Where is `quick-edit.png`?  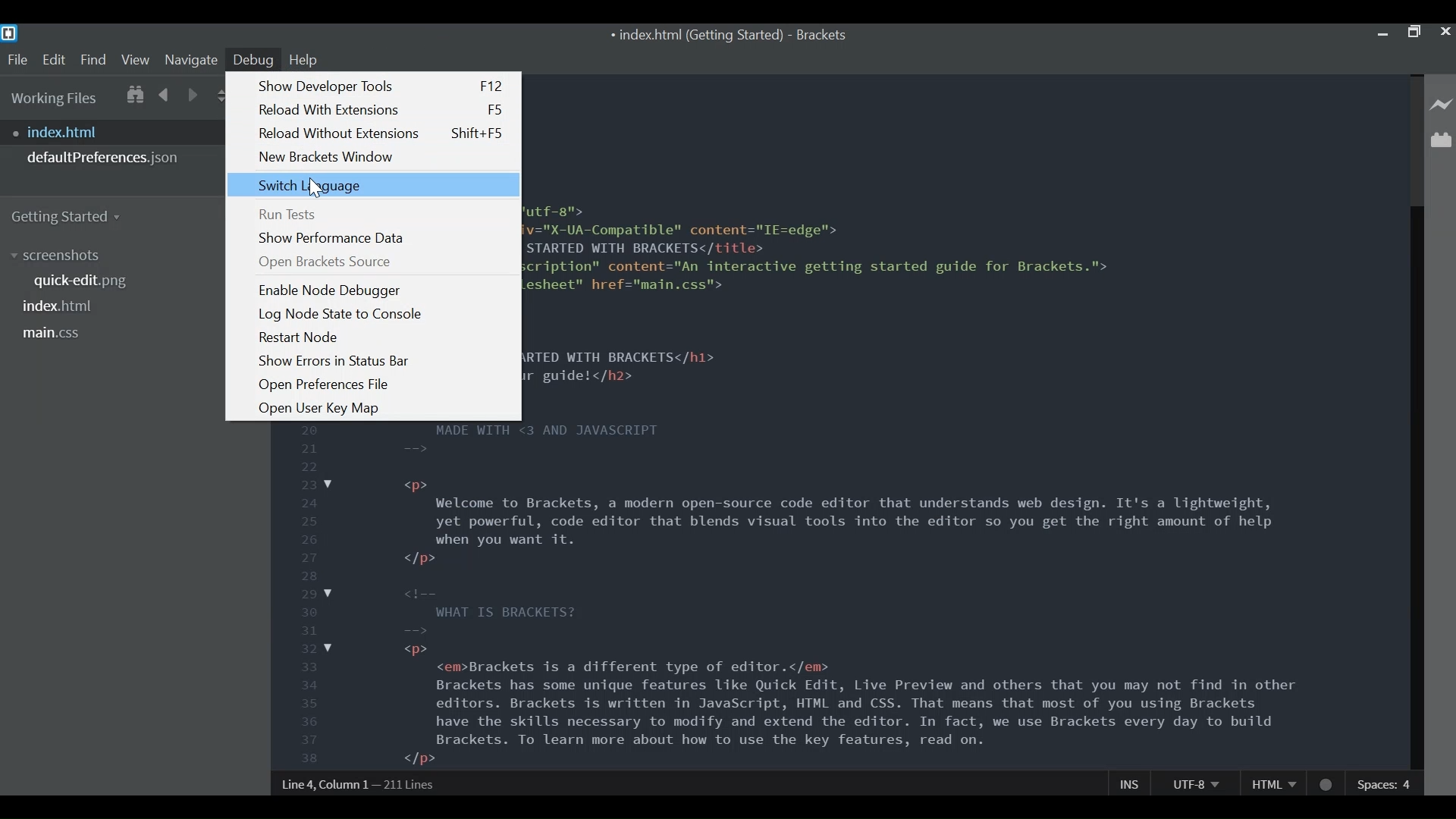
quick-edit.png is located at coordinates (87, 283).